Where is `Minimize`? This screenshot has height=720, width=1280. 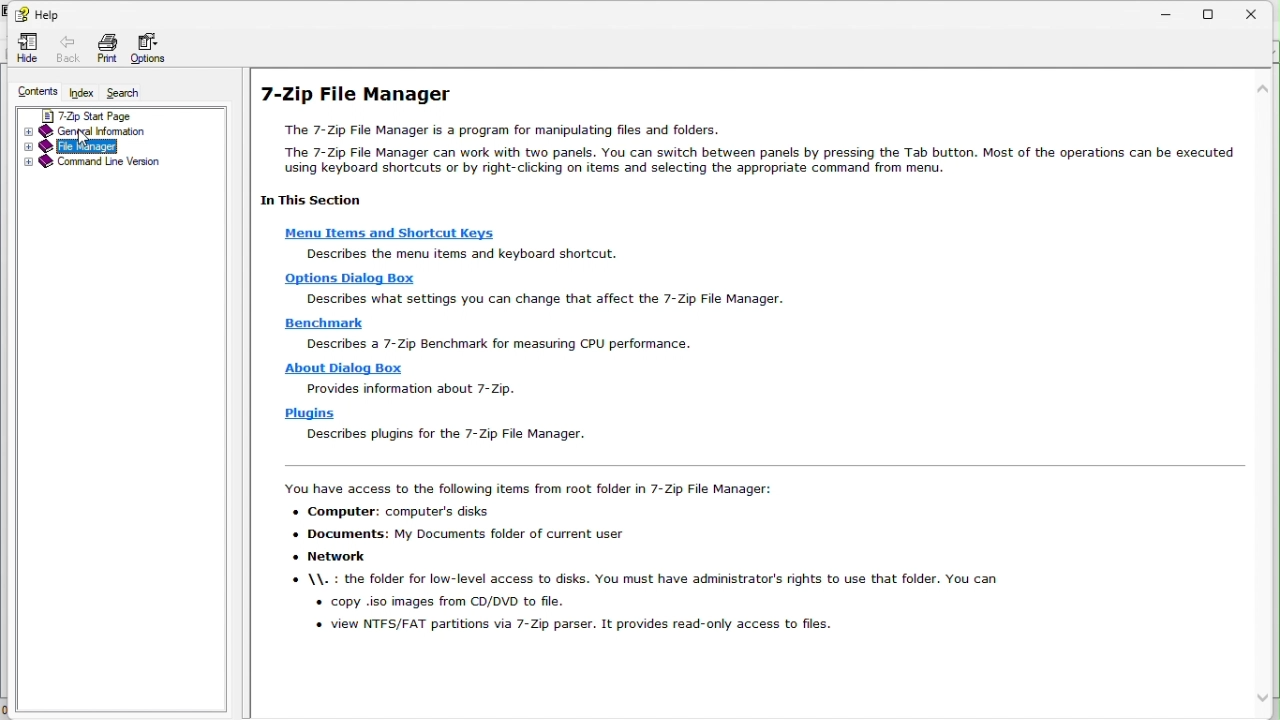
Minimize is located at coordinates (1167, 13).